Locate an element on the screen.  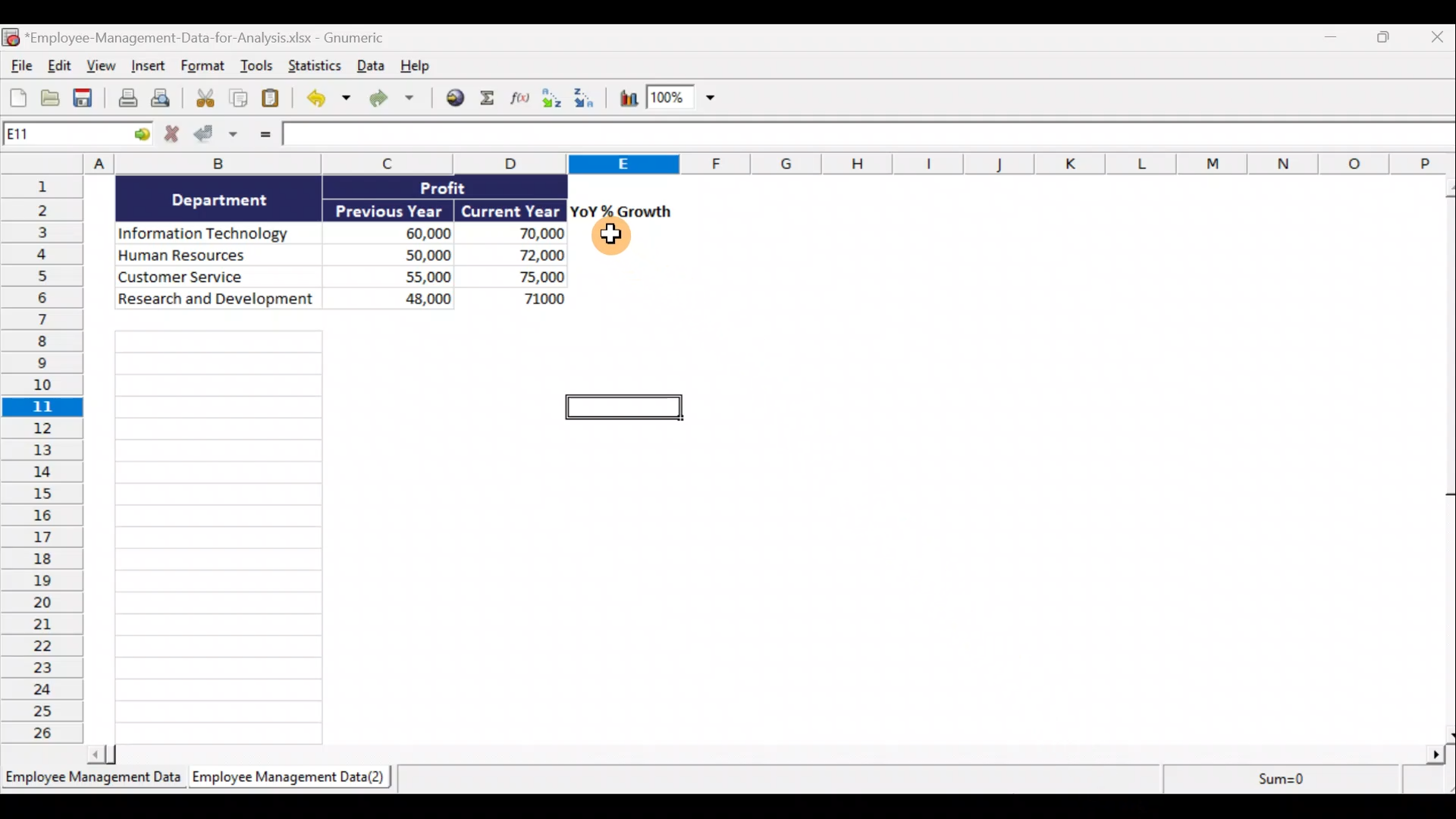
Maximise is located at coordinates (1389, 37).